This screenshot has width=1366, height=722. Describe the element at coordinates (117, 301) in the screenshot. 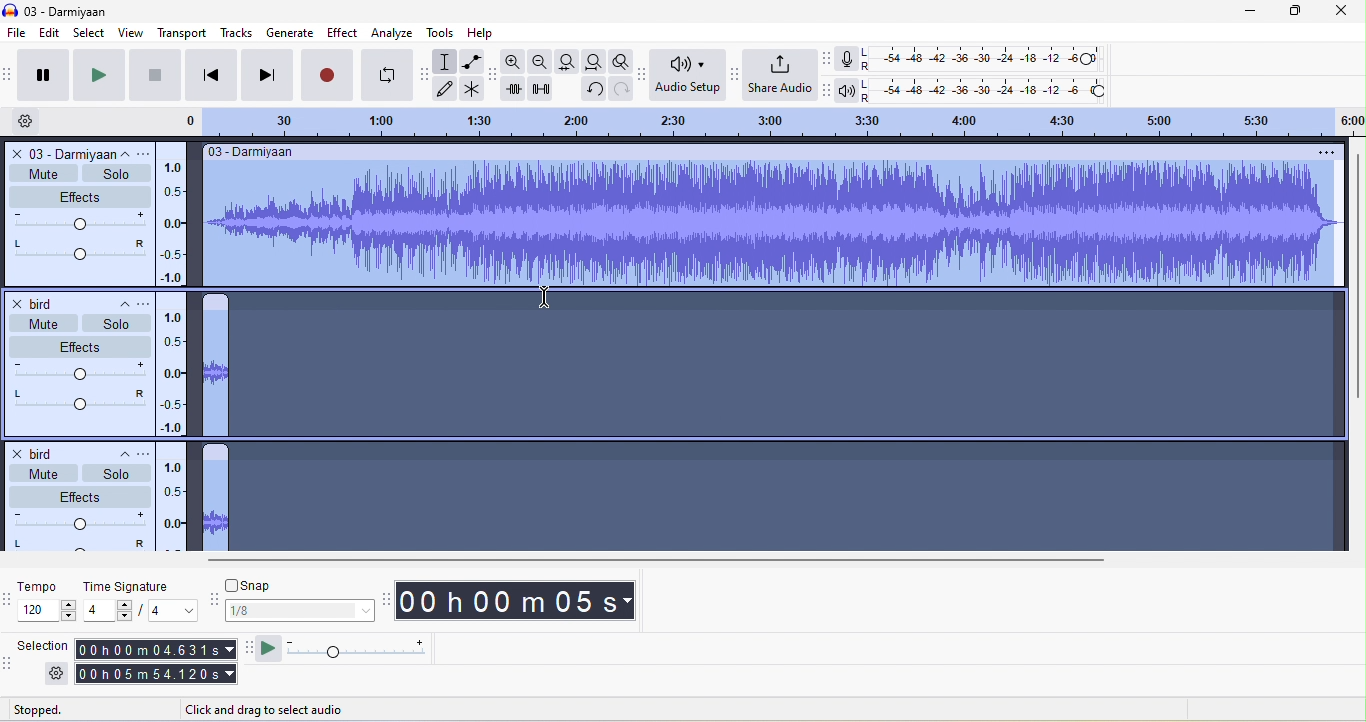

I see `collapse` at that location.